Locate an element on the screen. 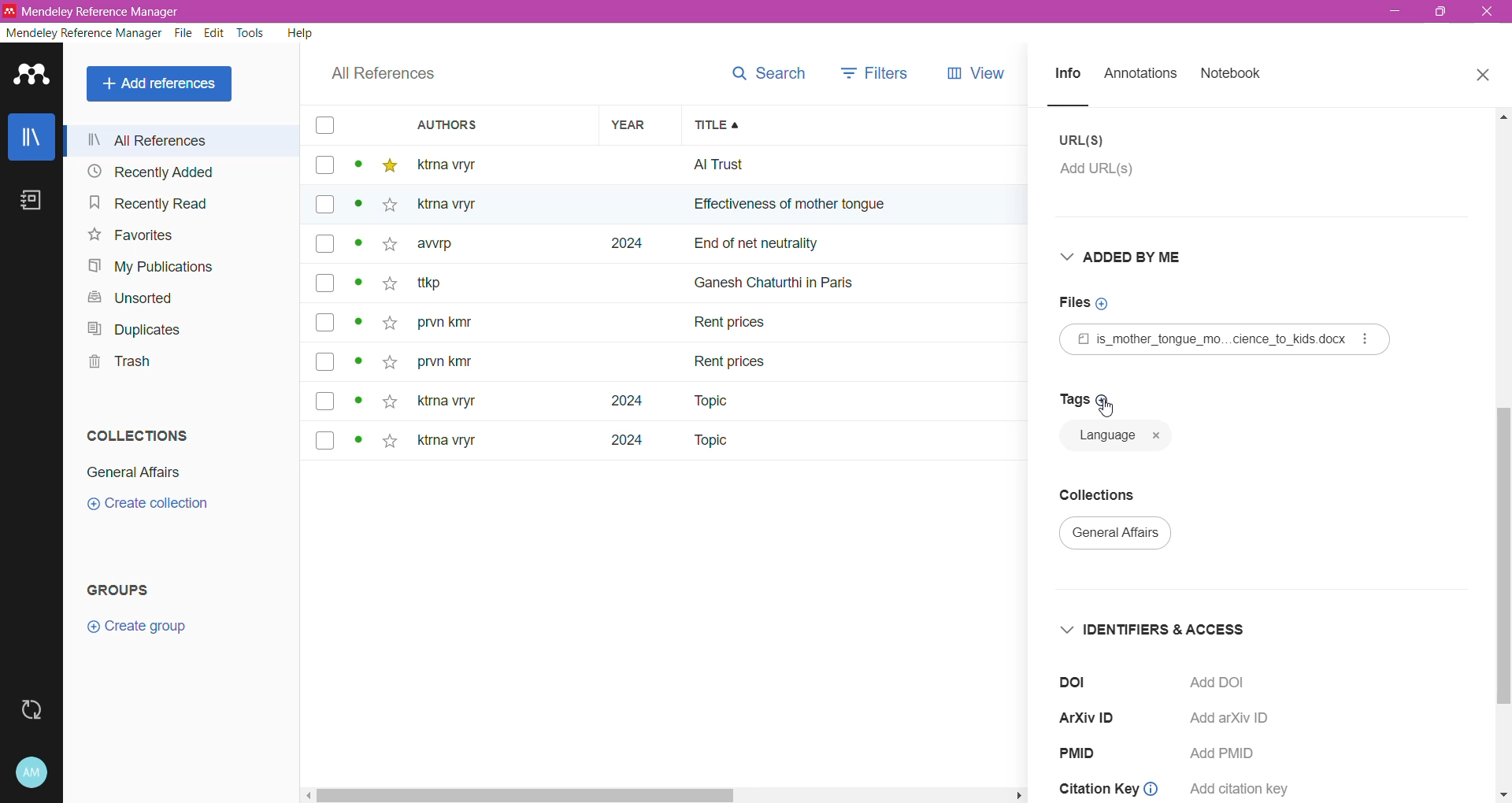  Horizontal Scroll Bar is located at coordinates (661, 797).